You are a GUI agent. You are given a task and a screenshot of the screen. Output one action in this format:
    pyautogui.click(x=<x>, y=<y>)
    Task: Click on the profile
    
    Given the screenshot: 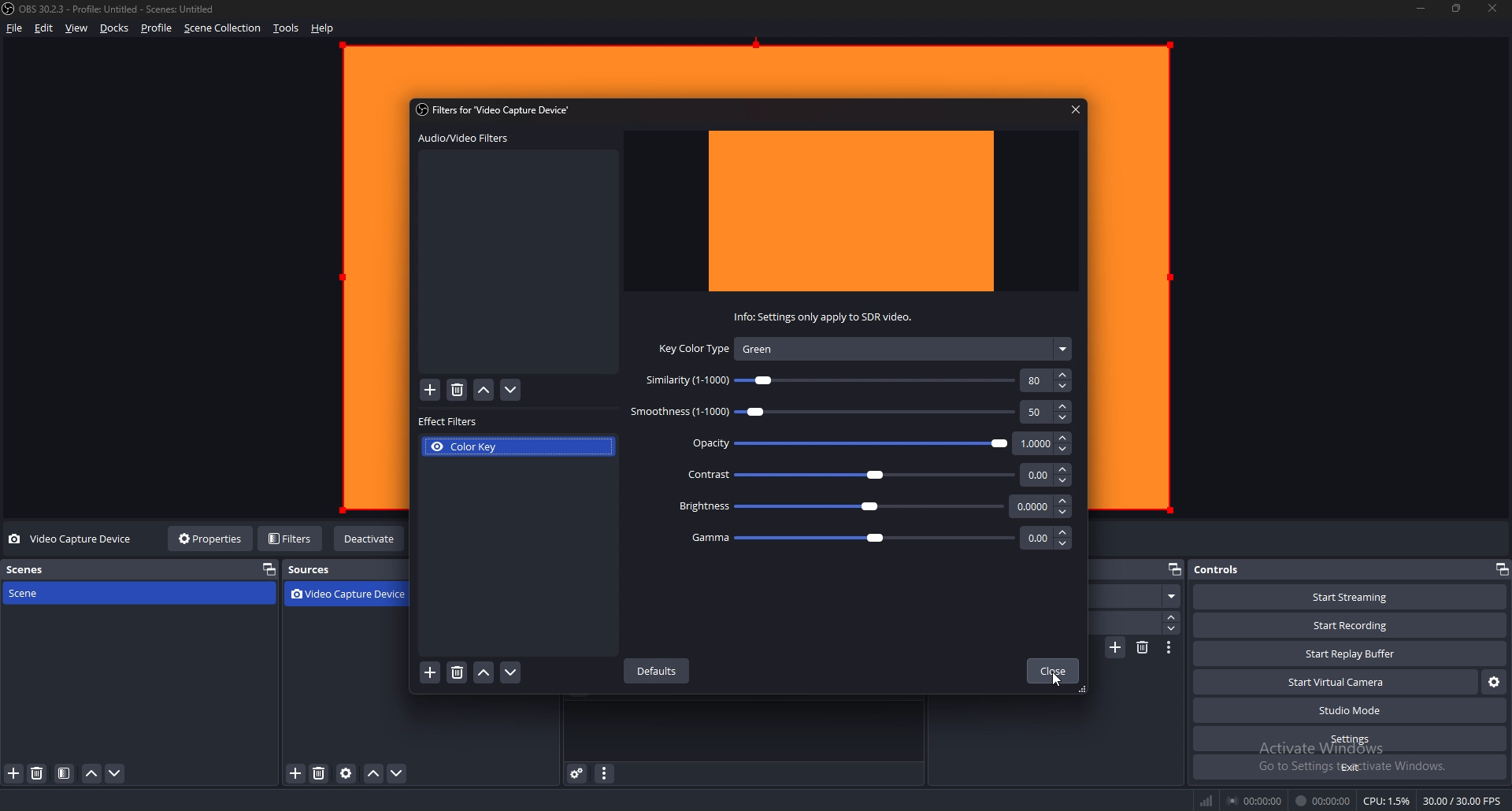 What is the action you would take?
    pyautogui.click(x=157, y=28)
    